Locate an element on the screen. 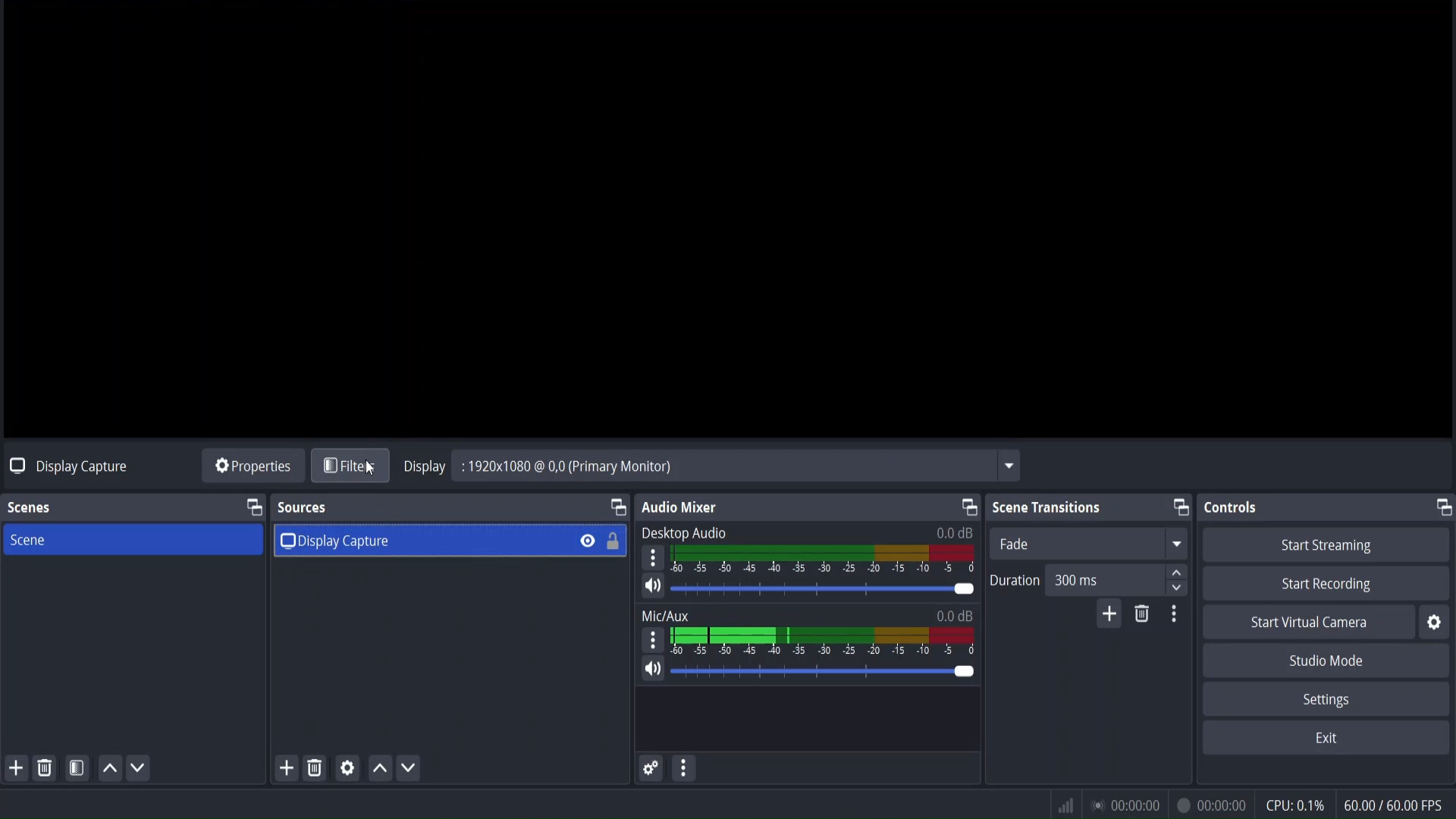 The height and width of the screenshot is (819, 1456). Mix/Aux is located at coordinates (663, 615).